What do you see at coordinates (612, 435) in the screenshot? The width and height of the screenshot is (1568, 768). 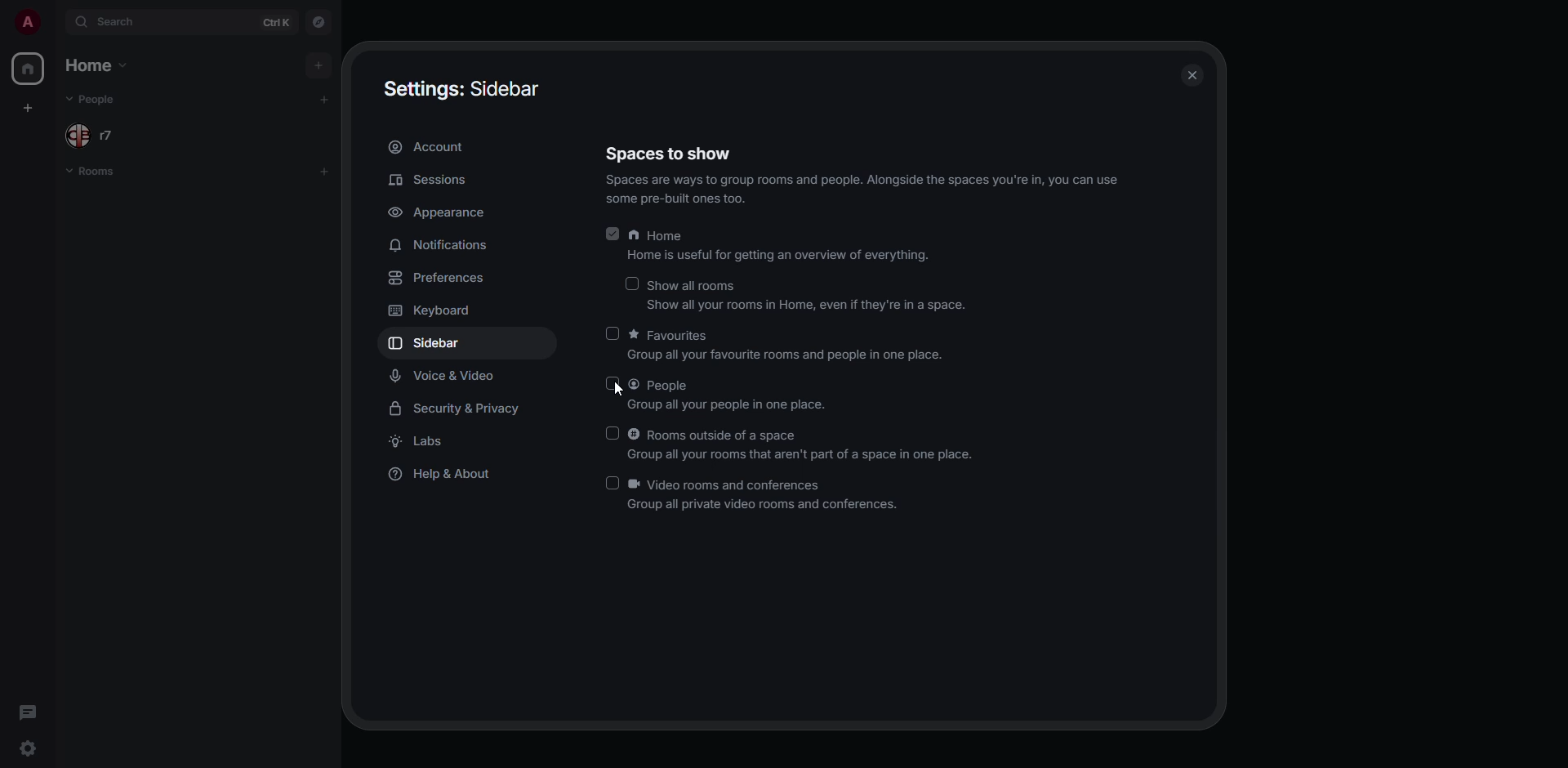 I see `click to enable` at bounding box center [612, 435].